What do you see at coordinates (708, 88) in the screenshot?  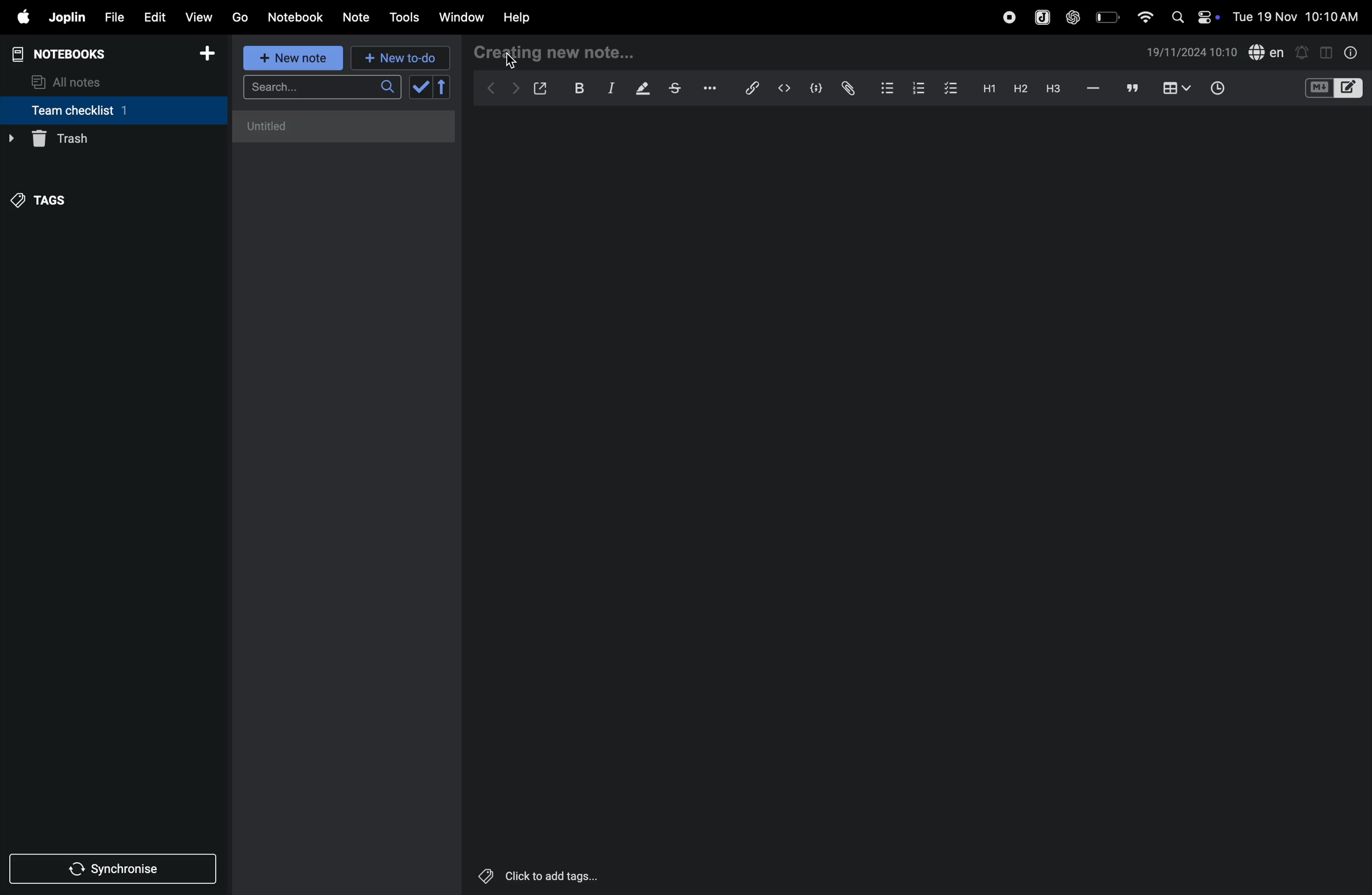 I see `options` at bounding box center [708, 88].